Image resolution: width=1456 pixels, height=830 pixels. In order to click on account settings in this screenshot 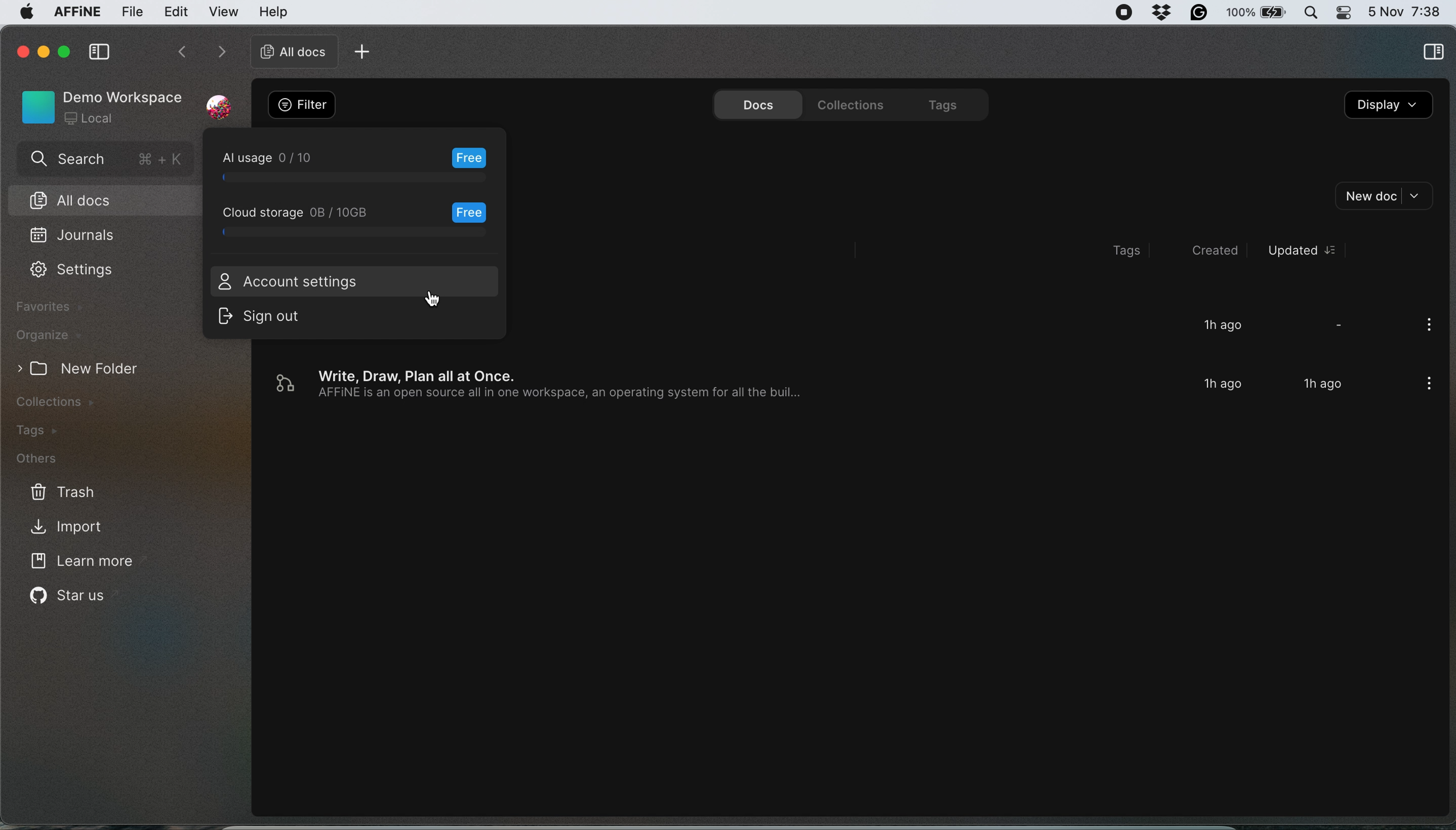, I will do `click(286, 281)`.